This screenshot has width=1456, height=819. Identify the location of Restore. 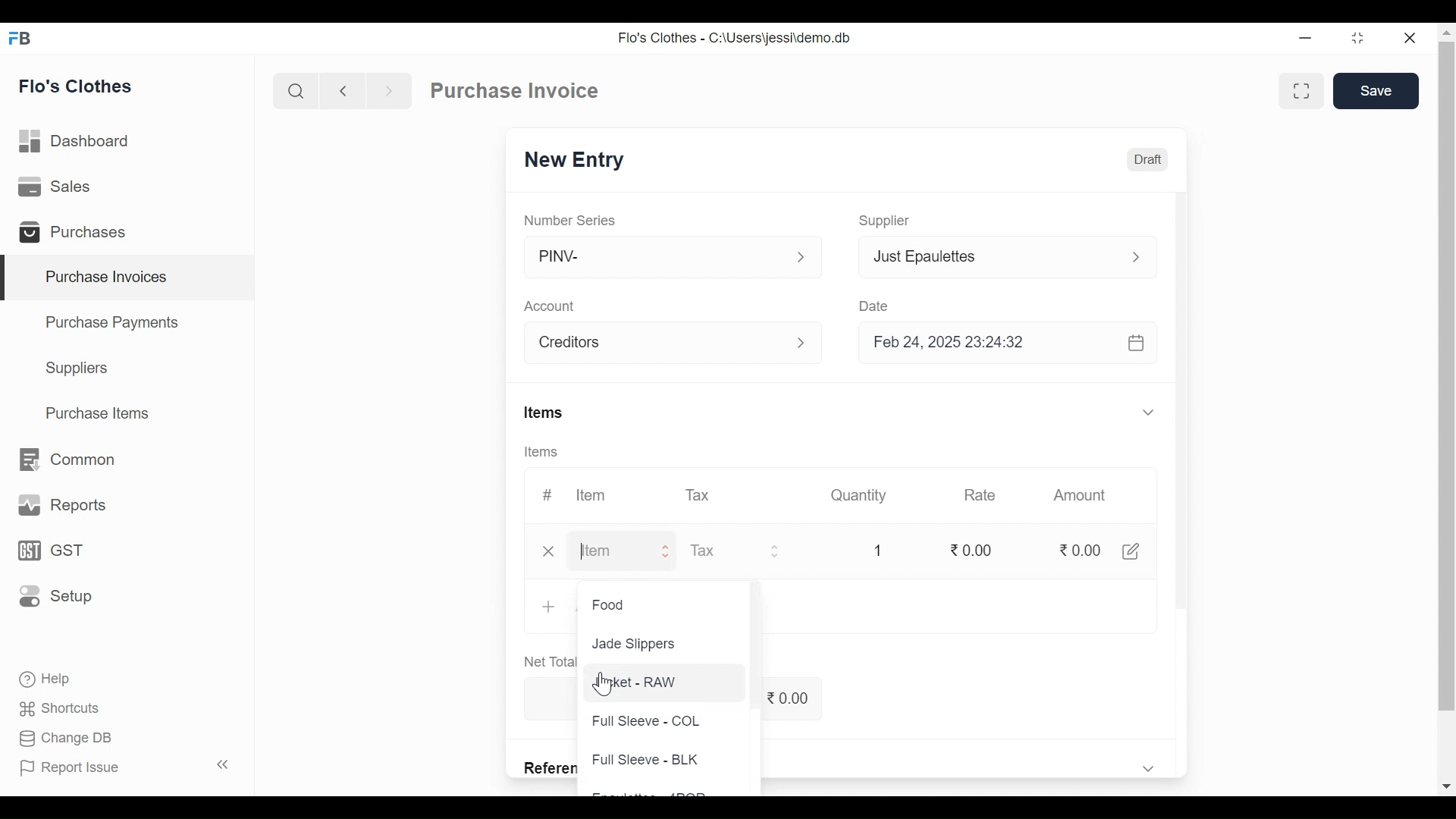
(1363, 39).